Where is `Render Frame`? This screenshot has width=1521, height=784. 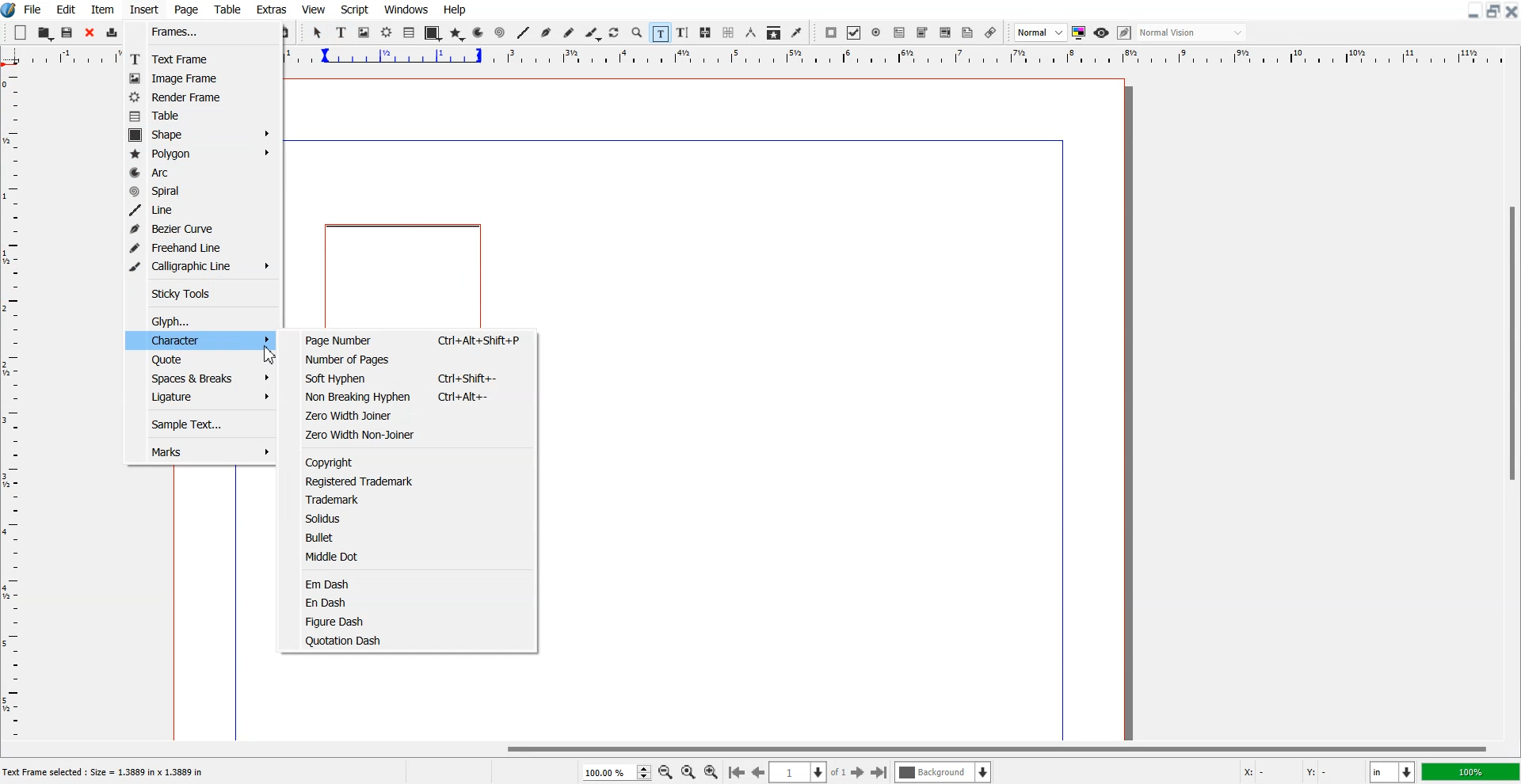
Render Frame is located at coordinates (194, 97).